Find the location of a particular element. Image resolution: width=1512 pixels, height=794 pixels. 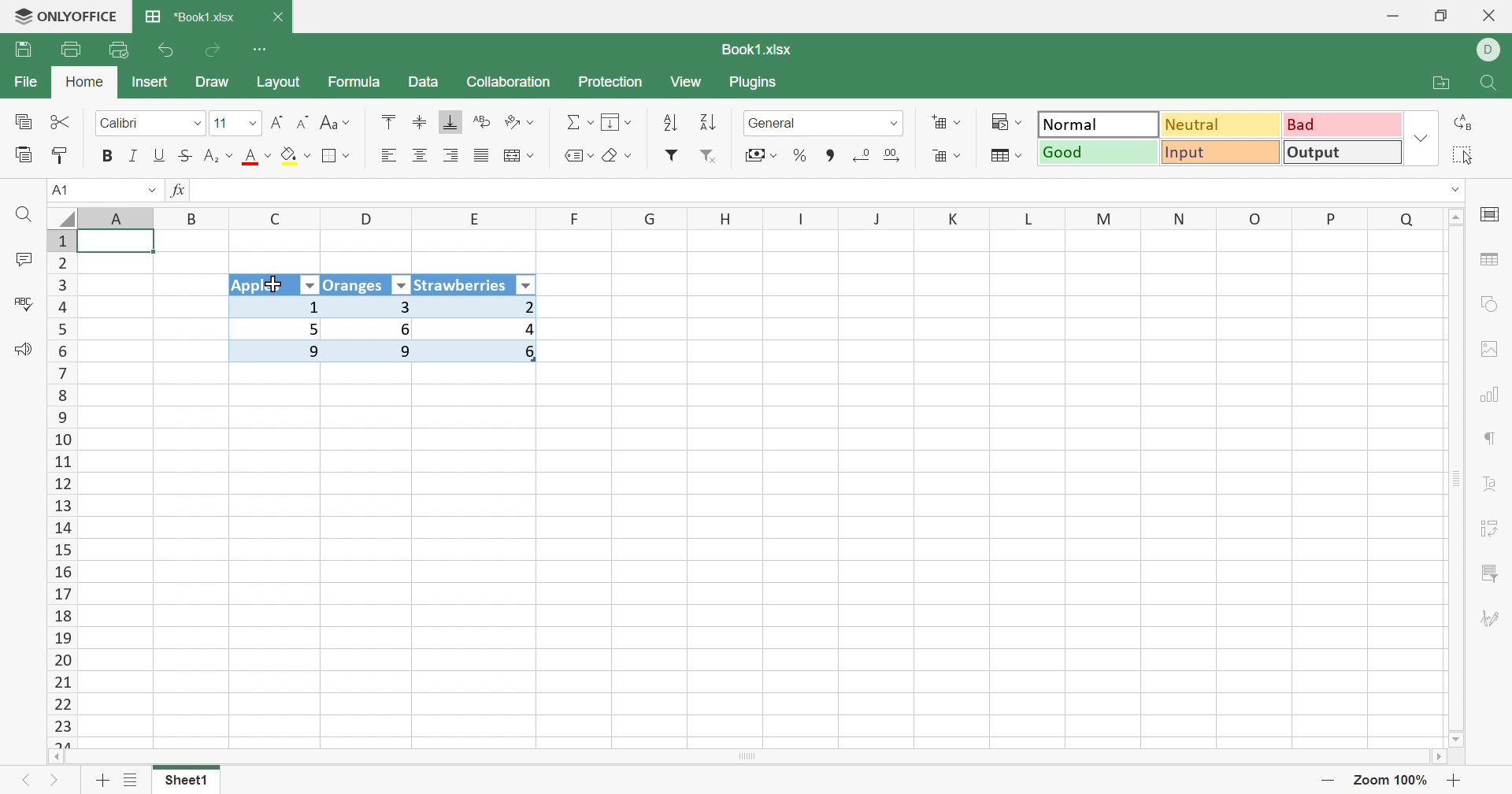

9 is located at coordinates (377, 353).